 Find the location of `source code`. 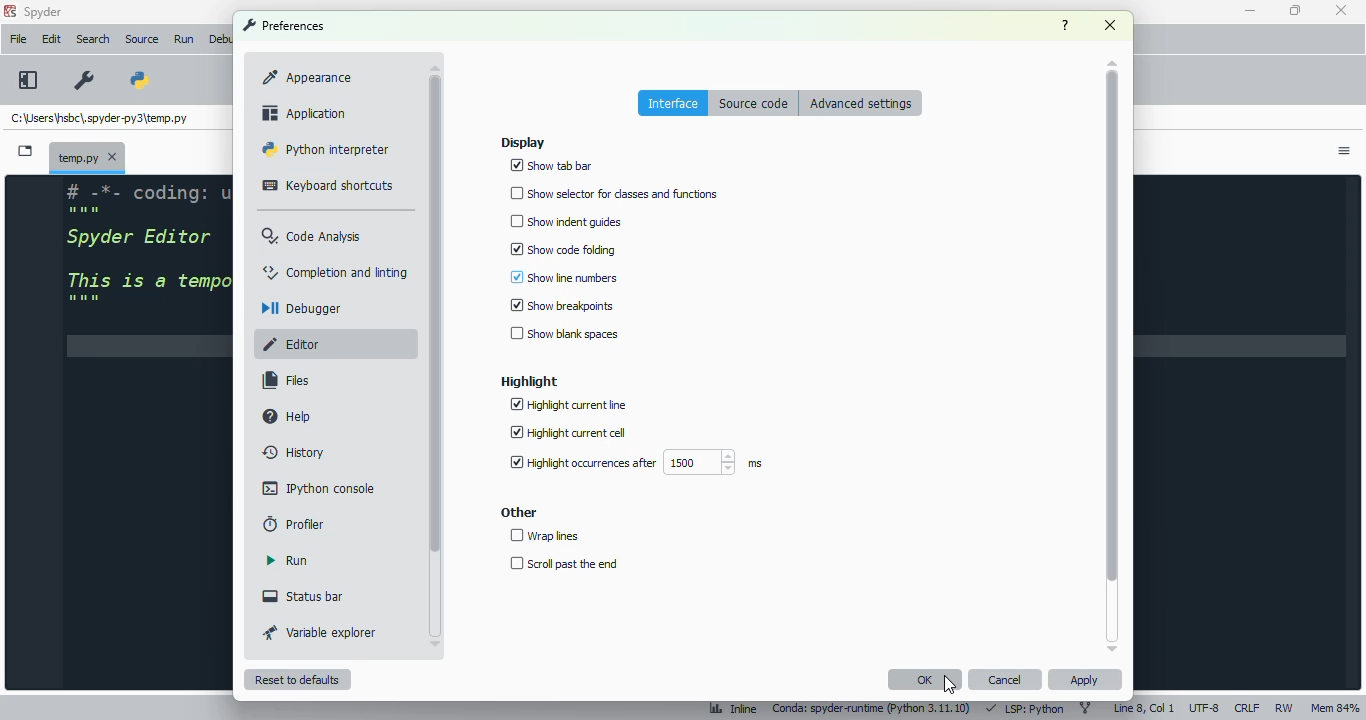

source code is located at coordinates (756, 104).